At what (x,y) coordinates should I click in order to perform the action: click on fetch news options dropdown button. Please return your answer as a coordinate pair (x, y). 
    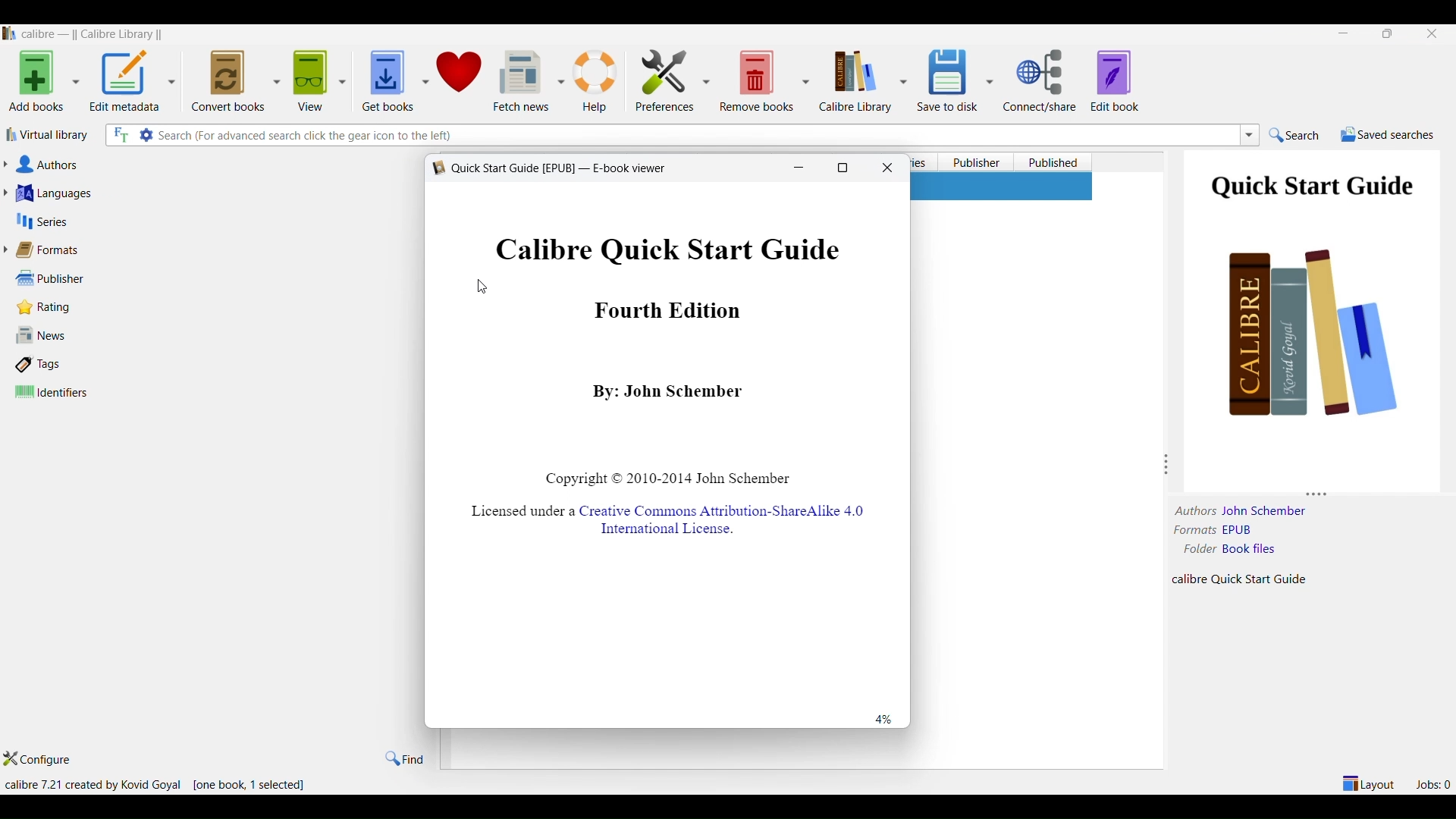
    Looking at the image, I should click on (558, 81).